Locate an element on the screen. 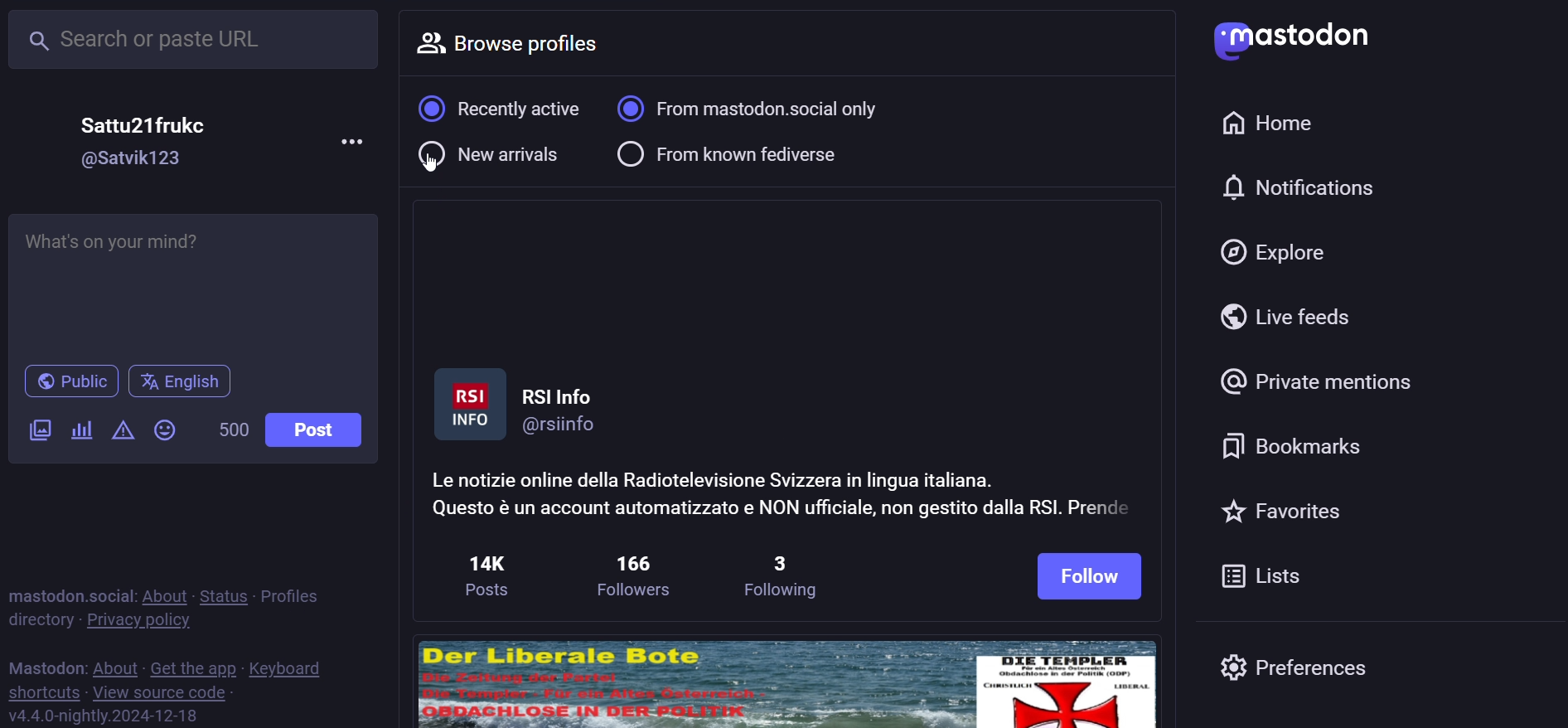  keyboard is located at coordinates (293, 668).